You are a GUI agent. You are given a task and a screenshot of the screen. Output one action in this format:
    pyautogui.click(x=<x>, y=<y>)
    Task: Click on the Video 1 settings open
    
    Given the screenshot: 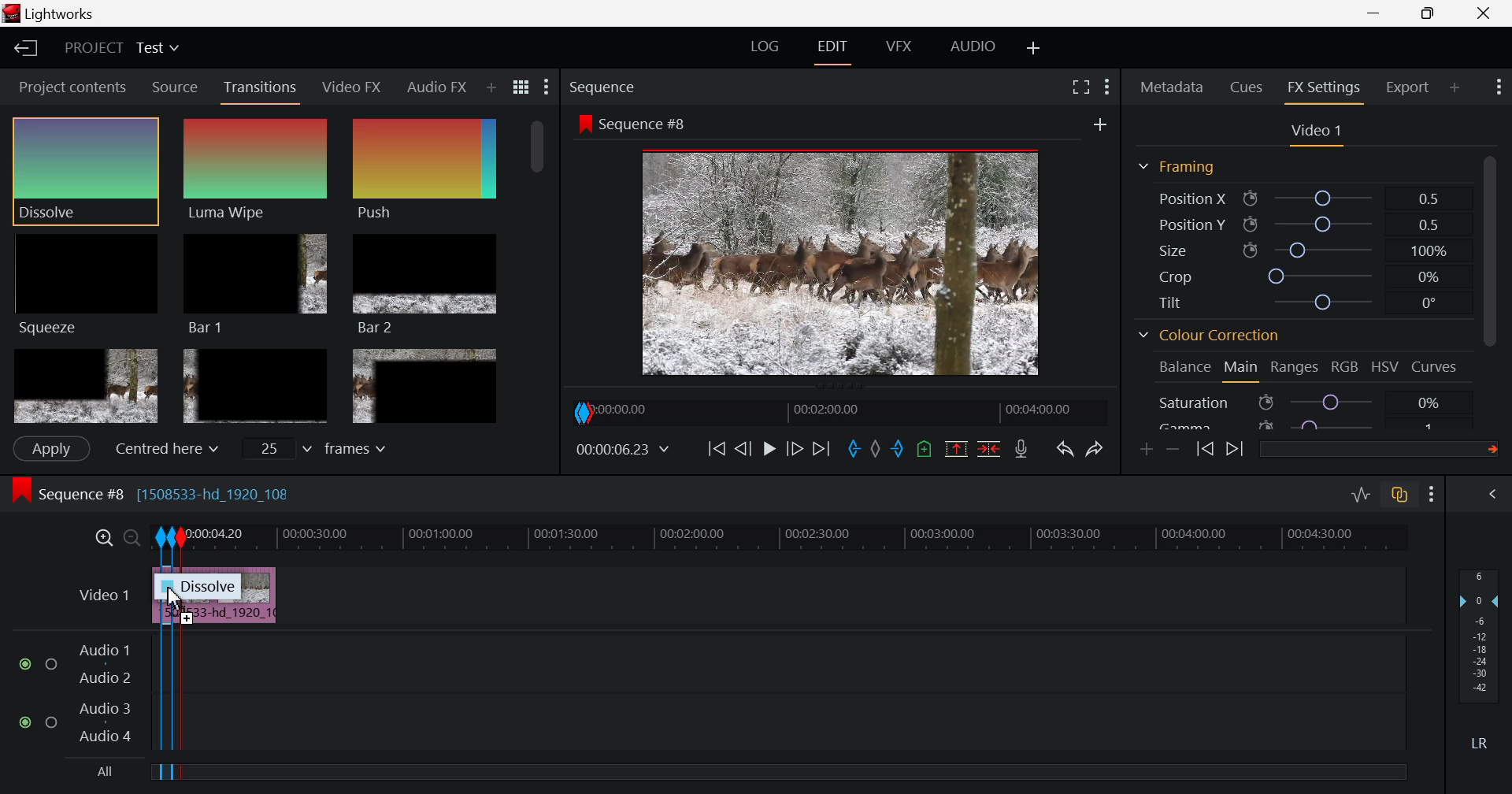 What is the action you would take?
    pyautogui.click(x=1318, y=132)
    